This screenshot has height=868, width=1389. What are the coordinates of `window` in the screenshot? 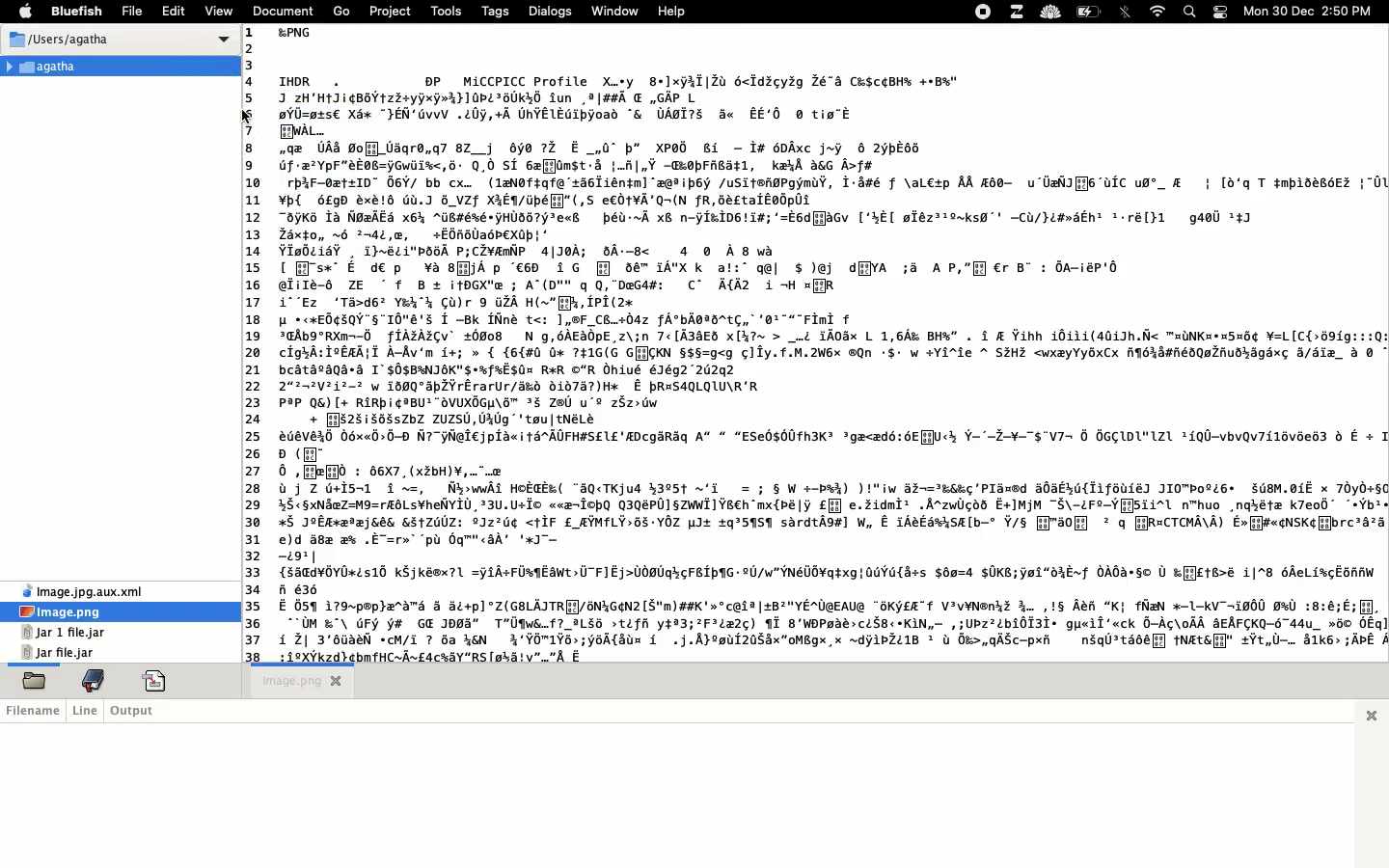 It's located at (616, 10).